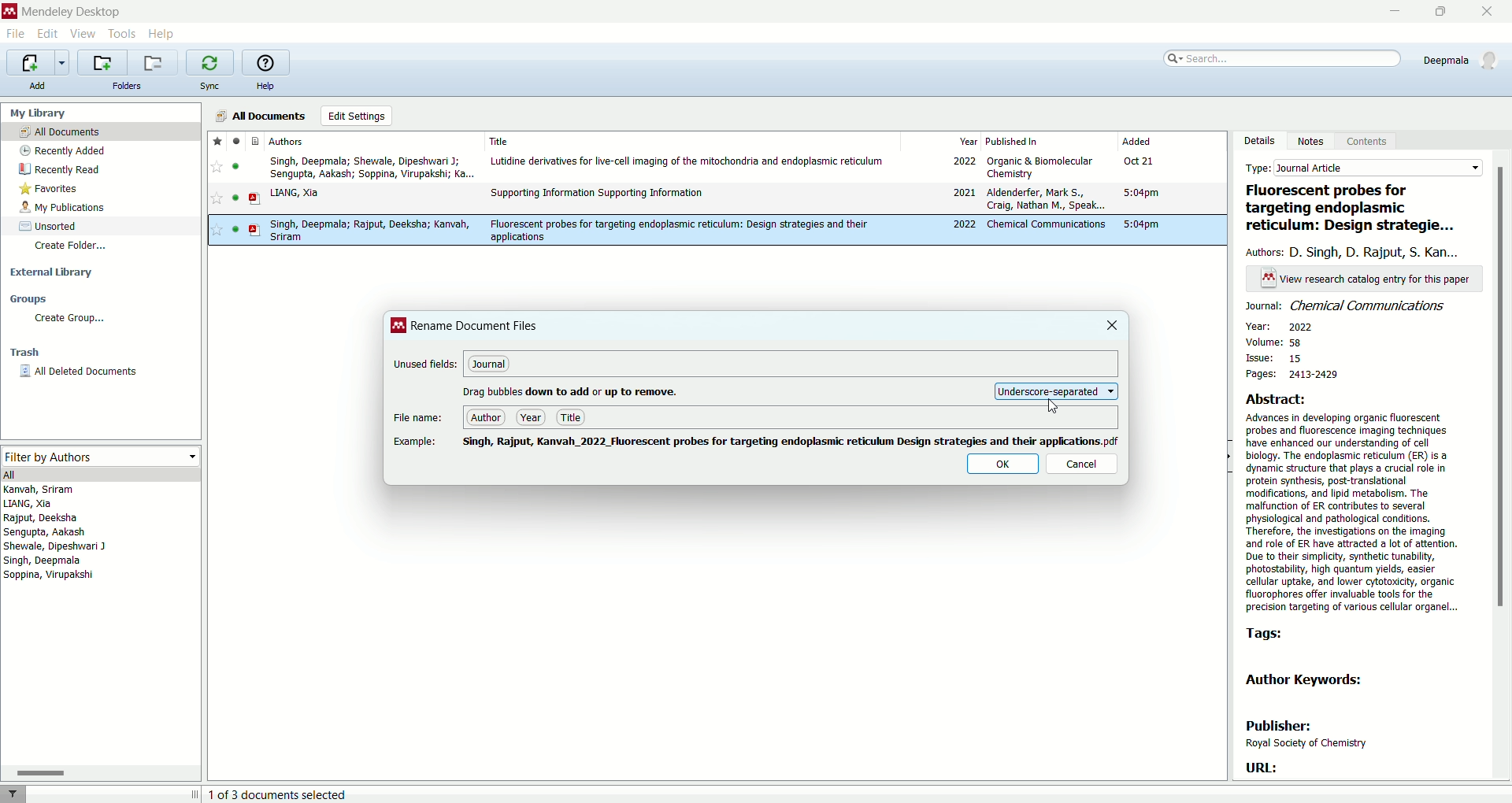  Describe the element at coordinates (1367, 142) in the screenshot. I see `content` at that location.